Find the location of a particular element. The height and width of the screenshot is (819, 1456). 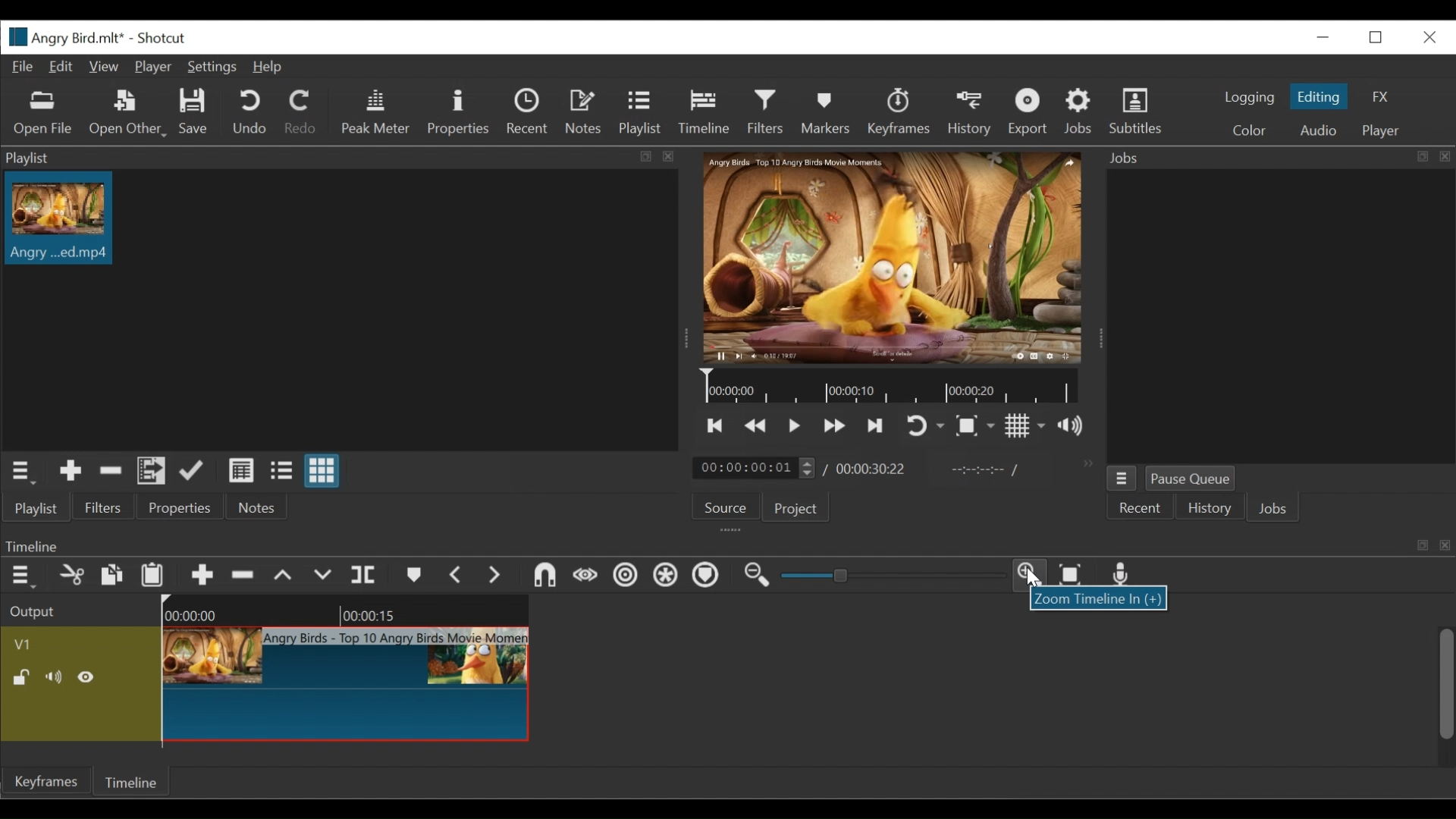

Player is located at coordinates (152, 65).